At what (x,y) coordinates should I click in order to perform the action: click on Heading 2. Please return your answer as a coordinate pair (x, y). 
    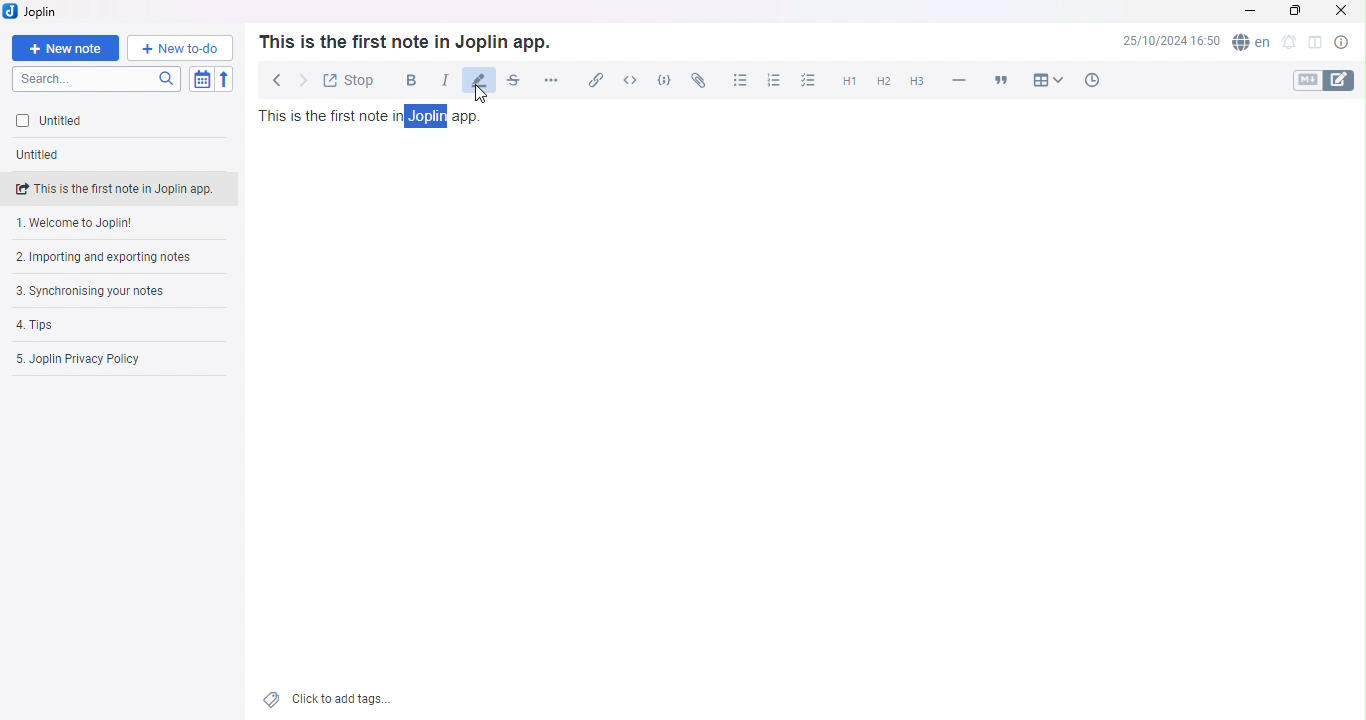
    Looking at the image, I should click on (883, 83).